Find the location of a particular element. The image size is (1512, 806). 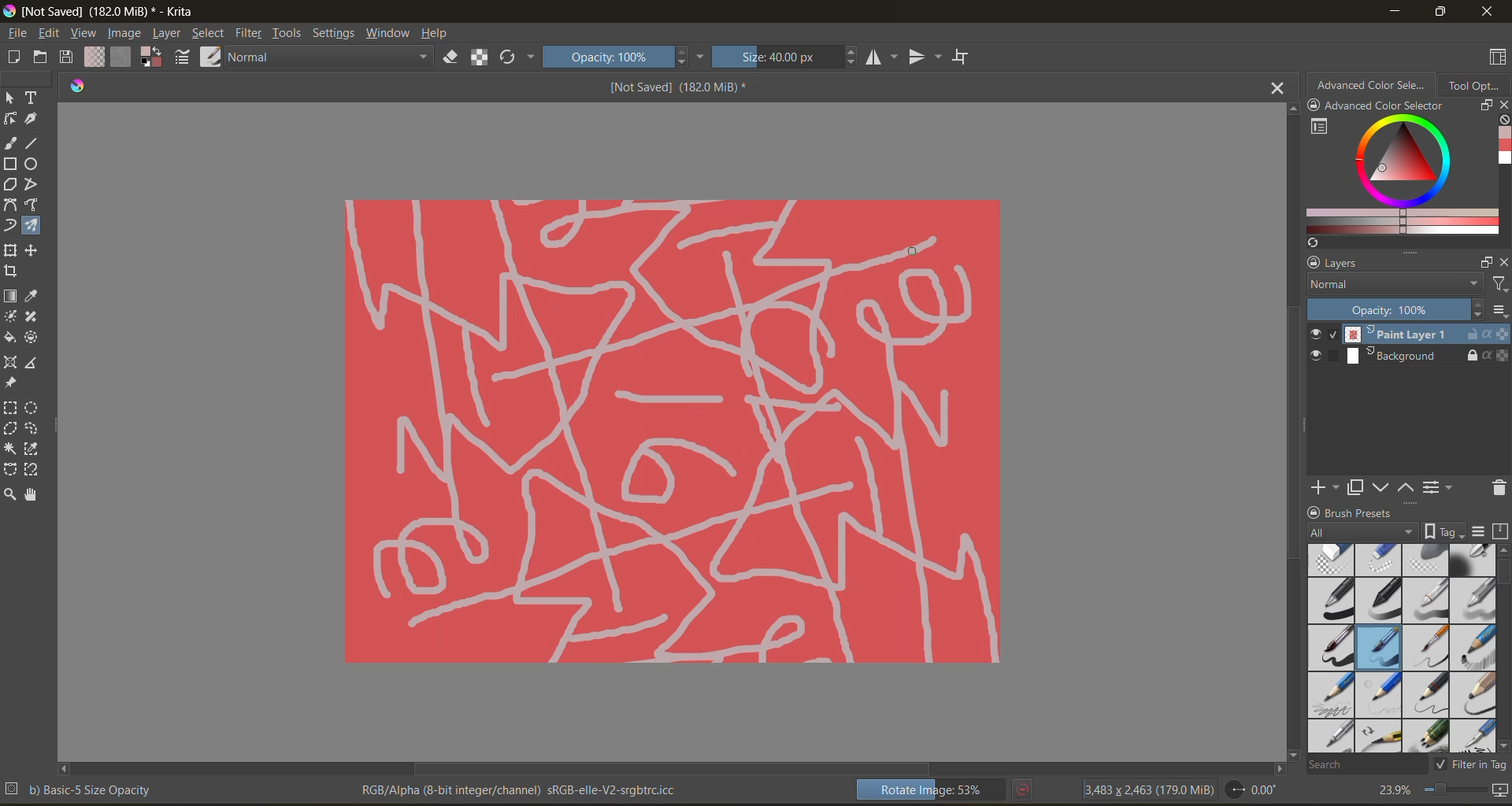

tag is located at coordinates (1362, 533).